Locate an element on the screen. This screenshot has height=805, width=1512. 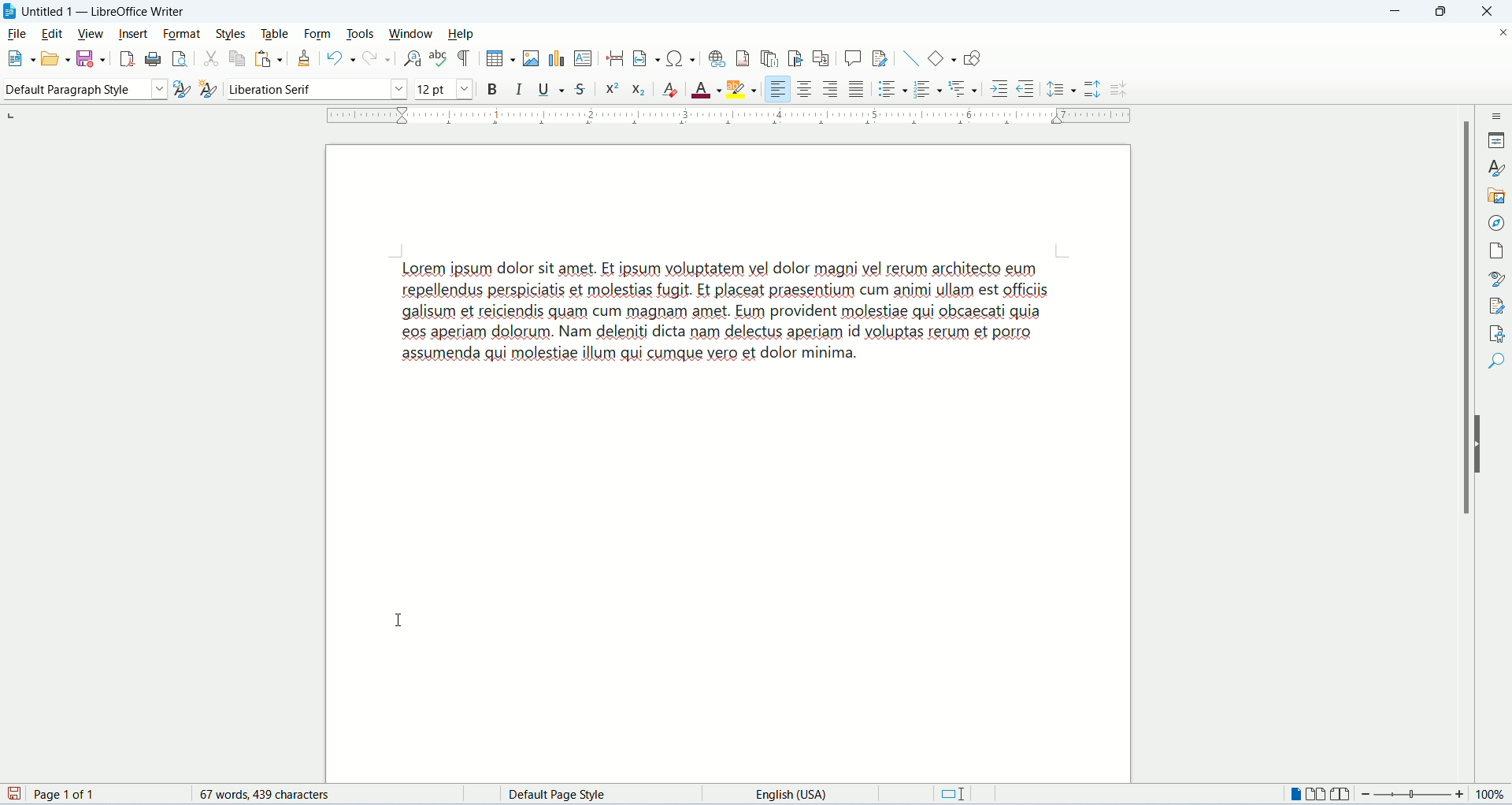
page is located at coordinates (1496, 250).